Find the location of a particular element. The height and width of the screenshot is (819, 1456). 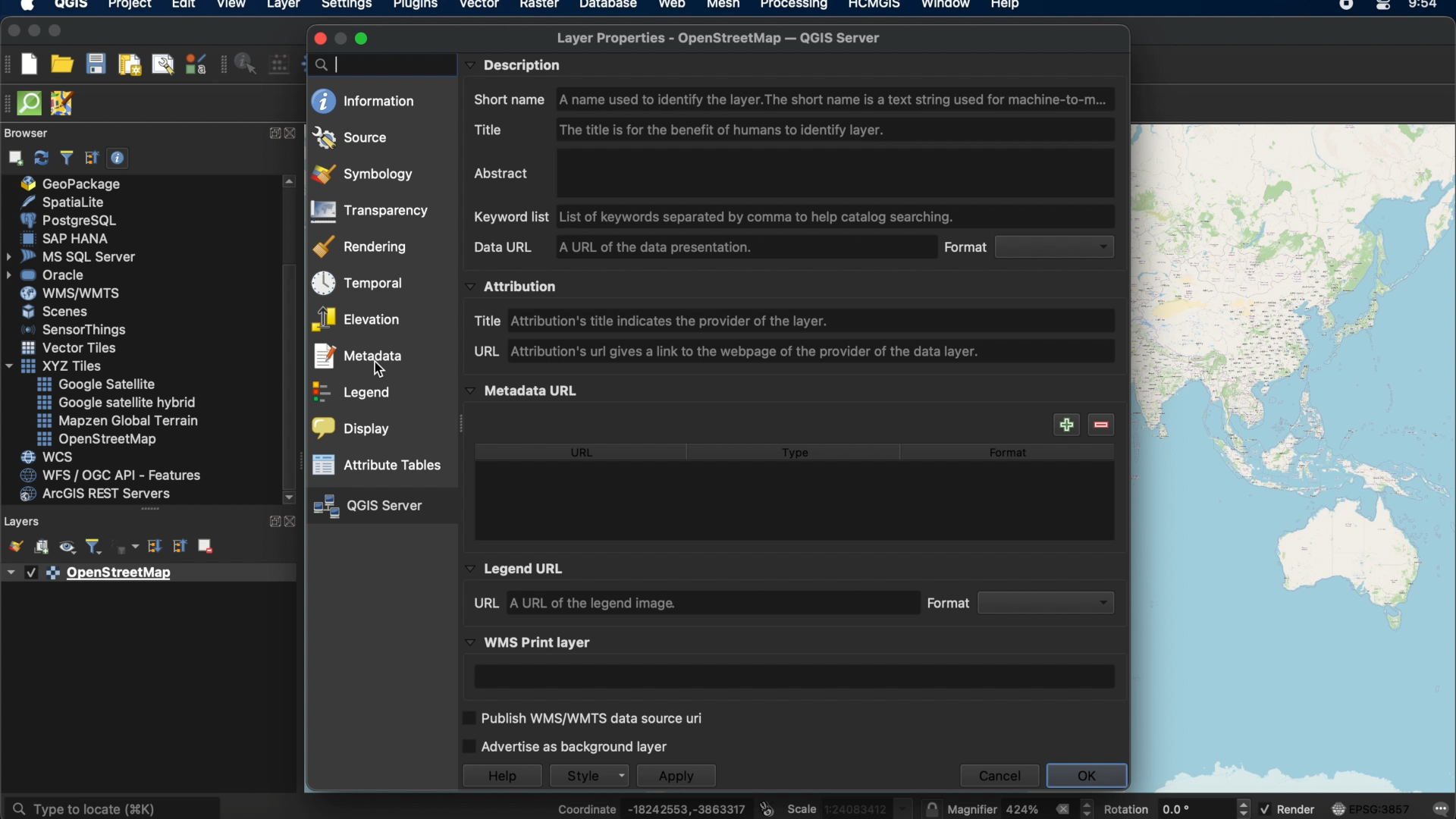

refresh is located at coordinates (39, 157).